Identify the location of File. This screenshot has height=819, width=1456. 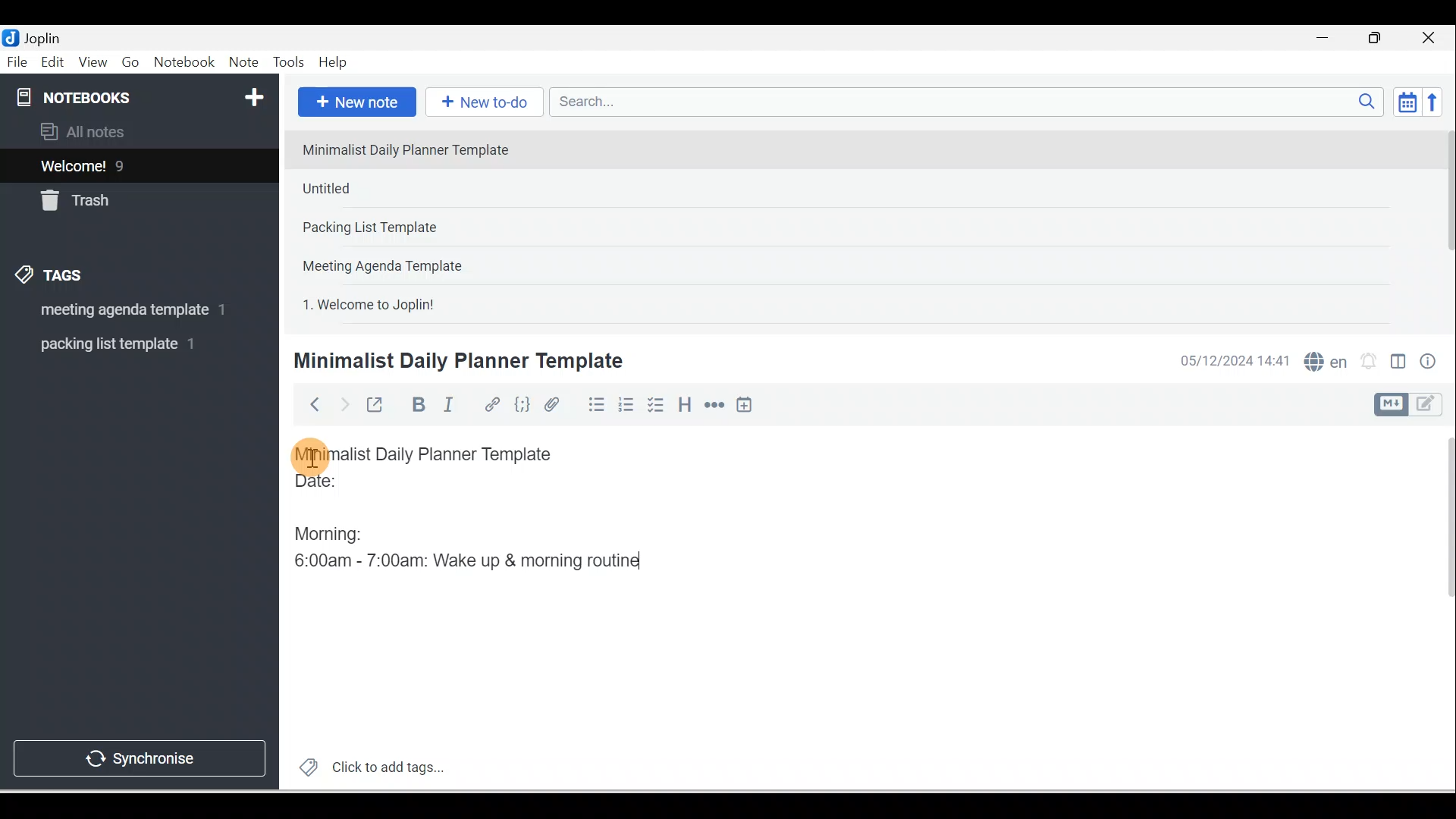
(18, 61).